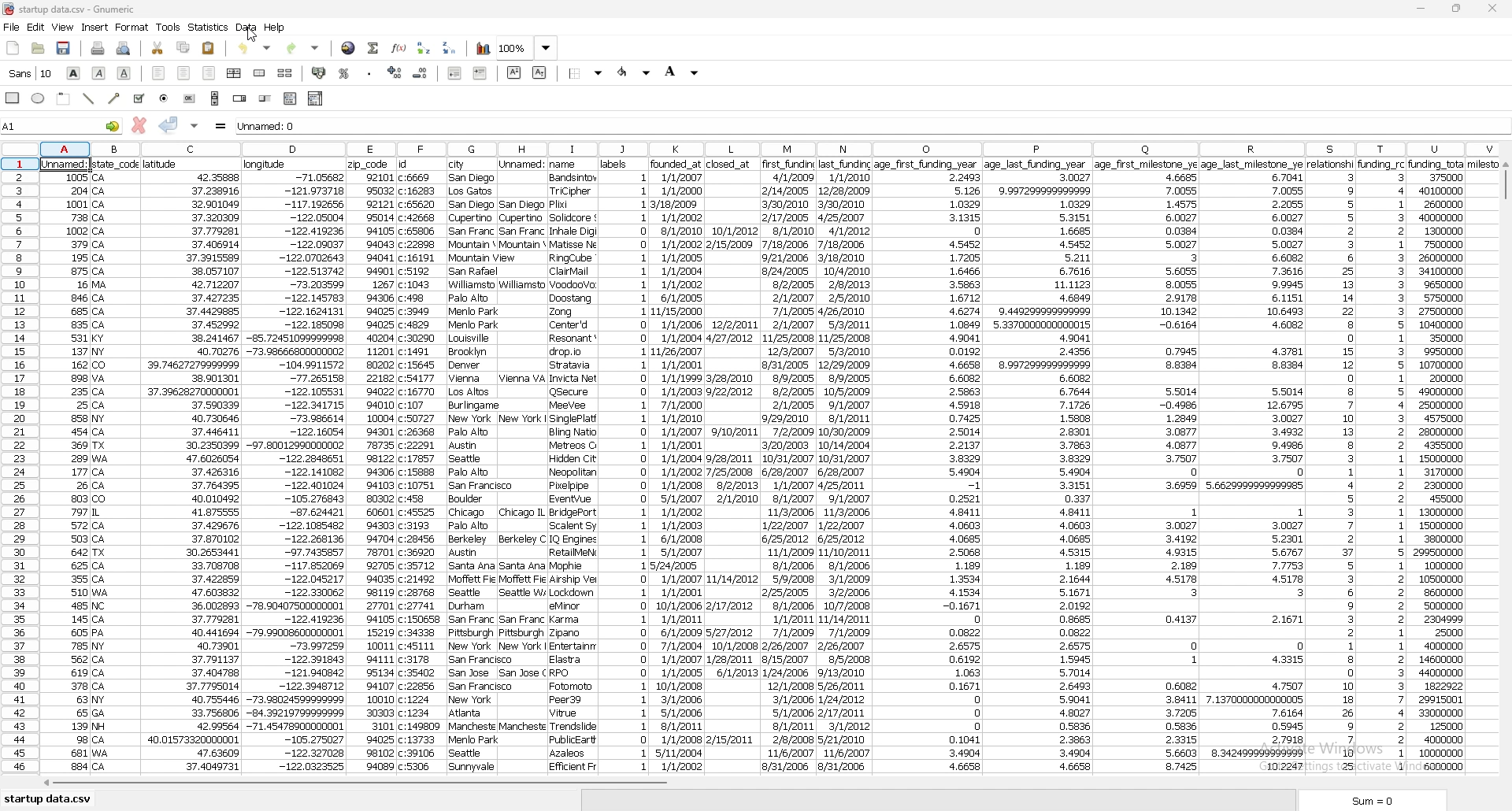  What do you see at coordinates (369, 71) in the screenshot?
I see `thousands separator` at bounding box center [369, 71].